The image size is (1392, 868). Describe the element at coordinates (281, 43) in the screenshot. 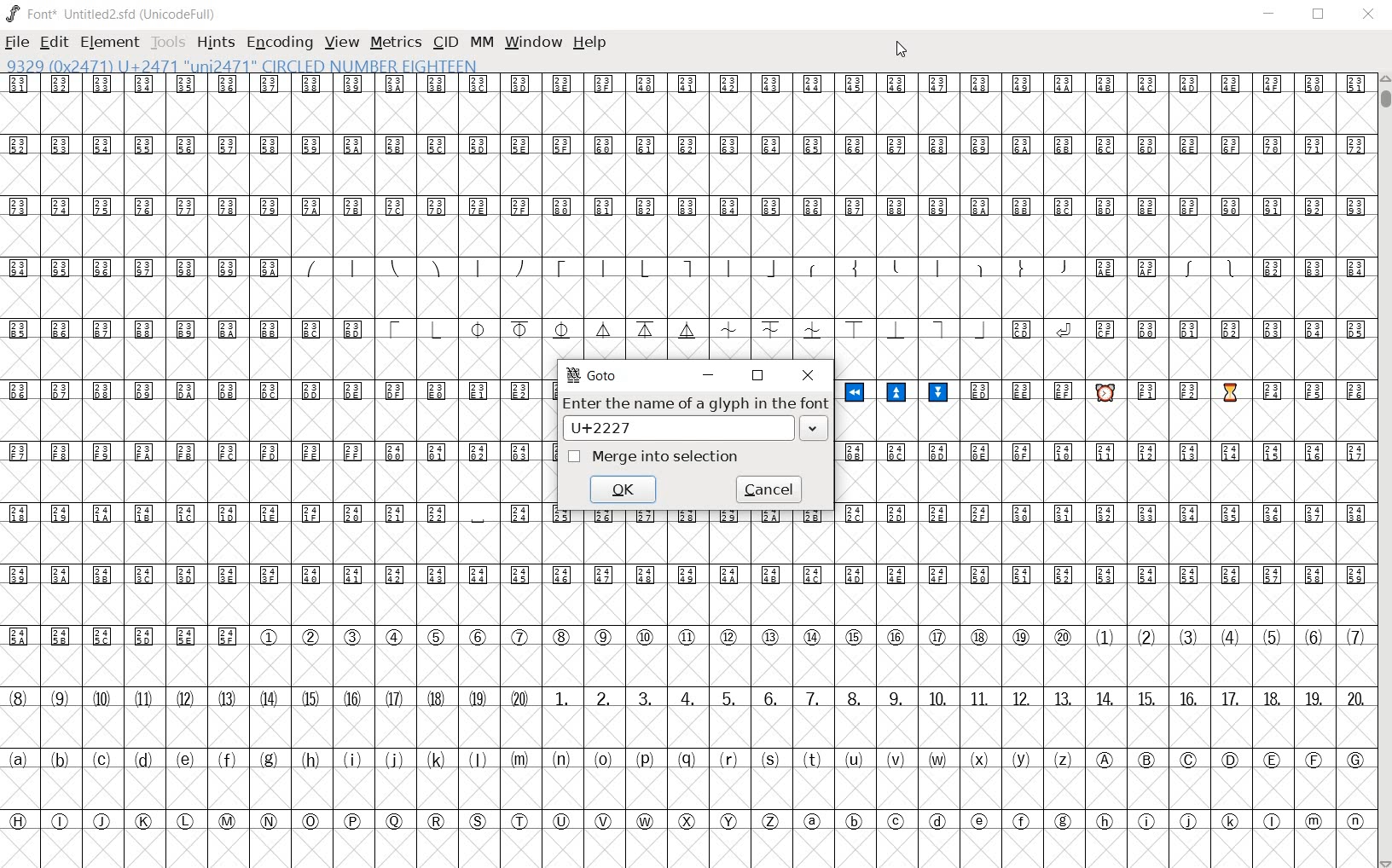

I see `encoding` at that location.